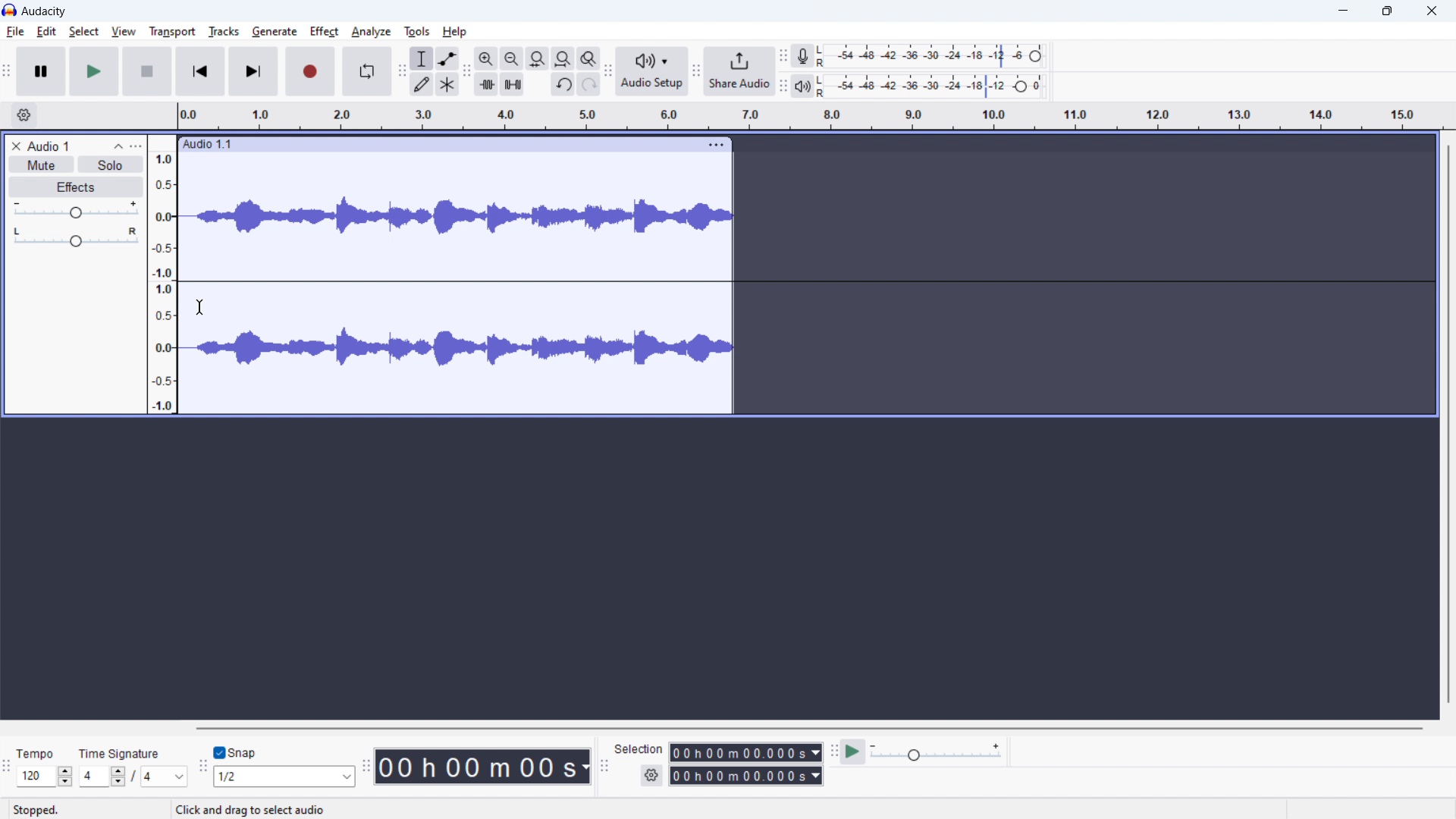 The width and height of the screenshot is (1456, 819). I want to click on fit selection to width, so click(537, 58).